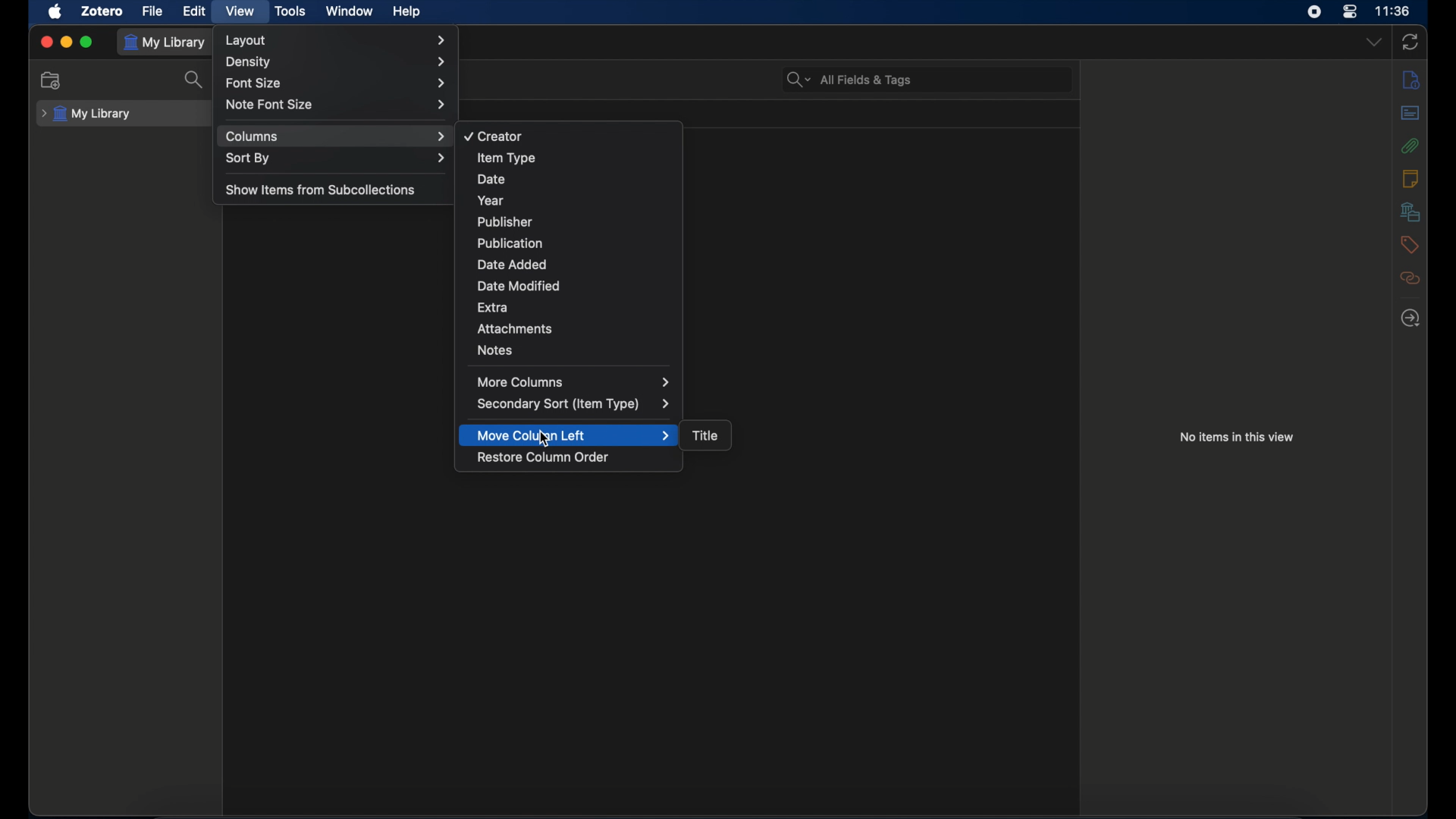  I want to click on secondary sort (item type), so click(575, 404).